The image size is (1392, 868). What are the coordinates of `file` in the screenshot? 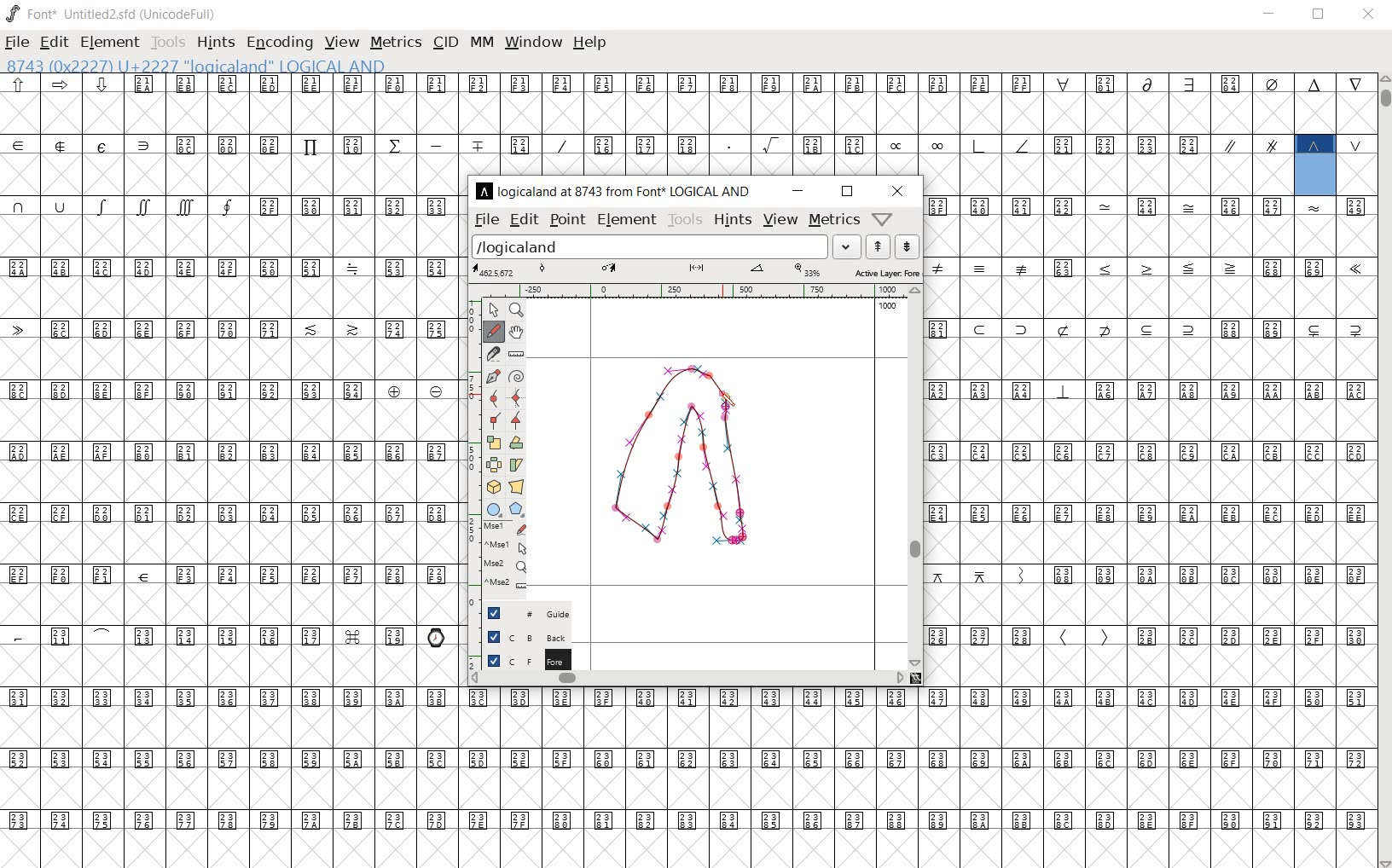 It's located at (17, 44).